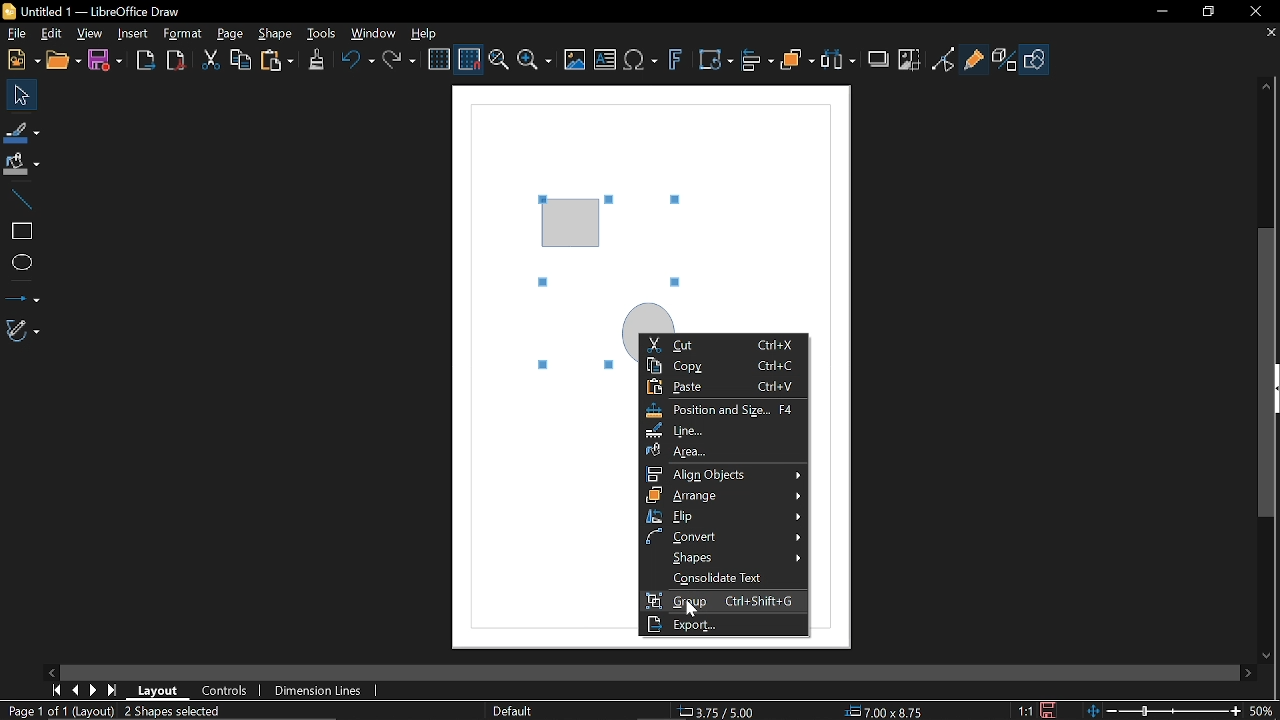 This screenshot has width=1280, height=720. I want to click on side scroll bar, so click(636, 672).